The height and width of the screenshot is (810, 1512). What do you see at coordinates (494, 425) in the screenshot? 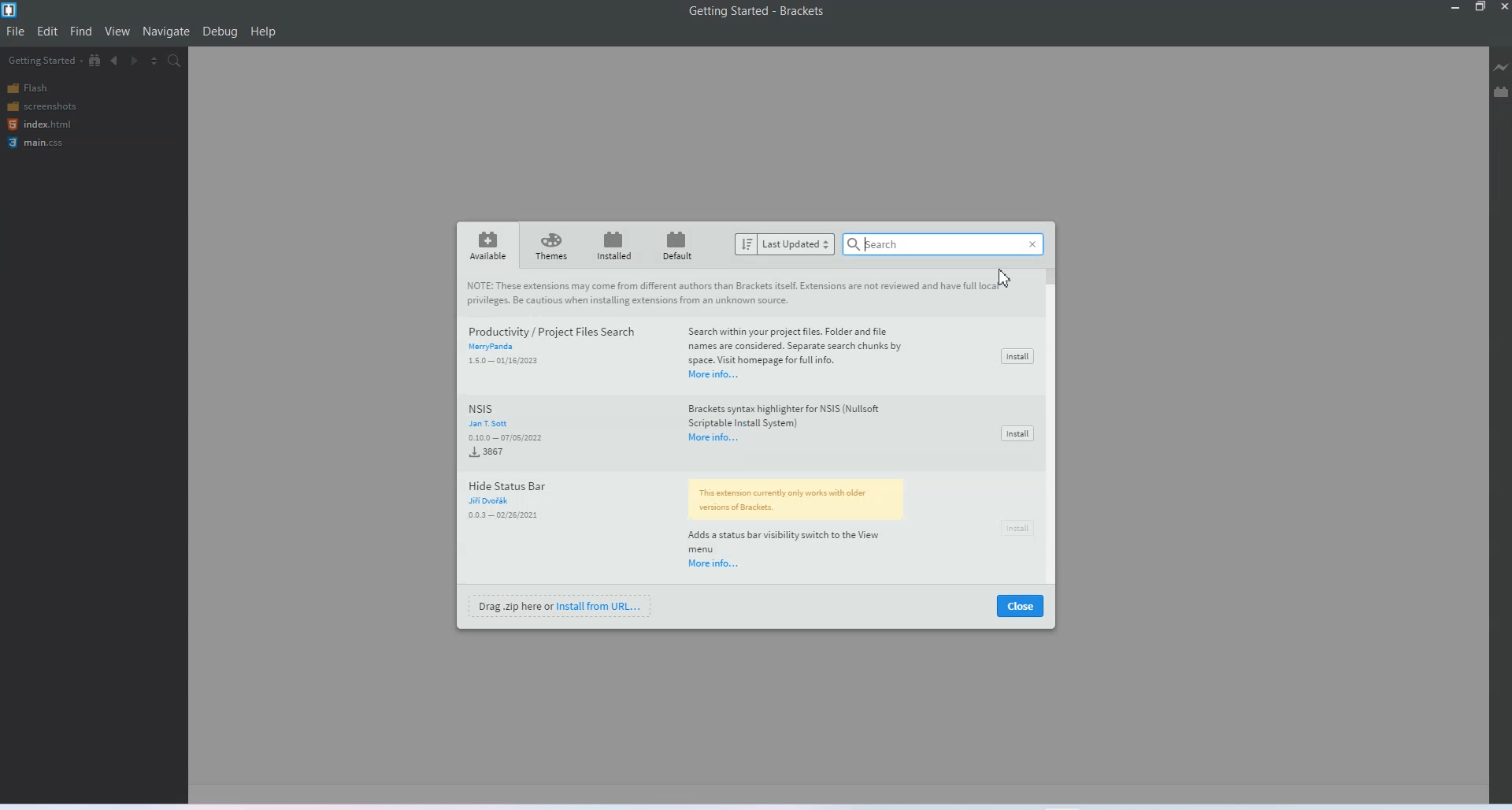
I see `Author` at bounding box center [494, 425].